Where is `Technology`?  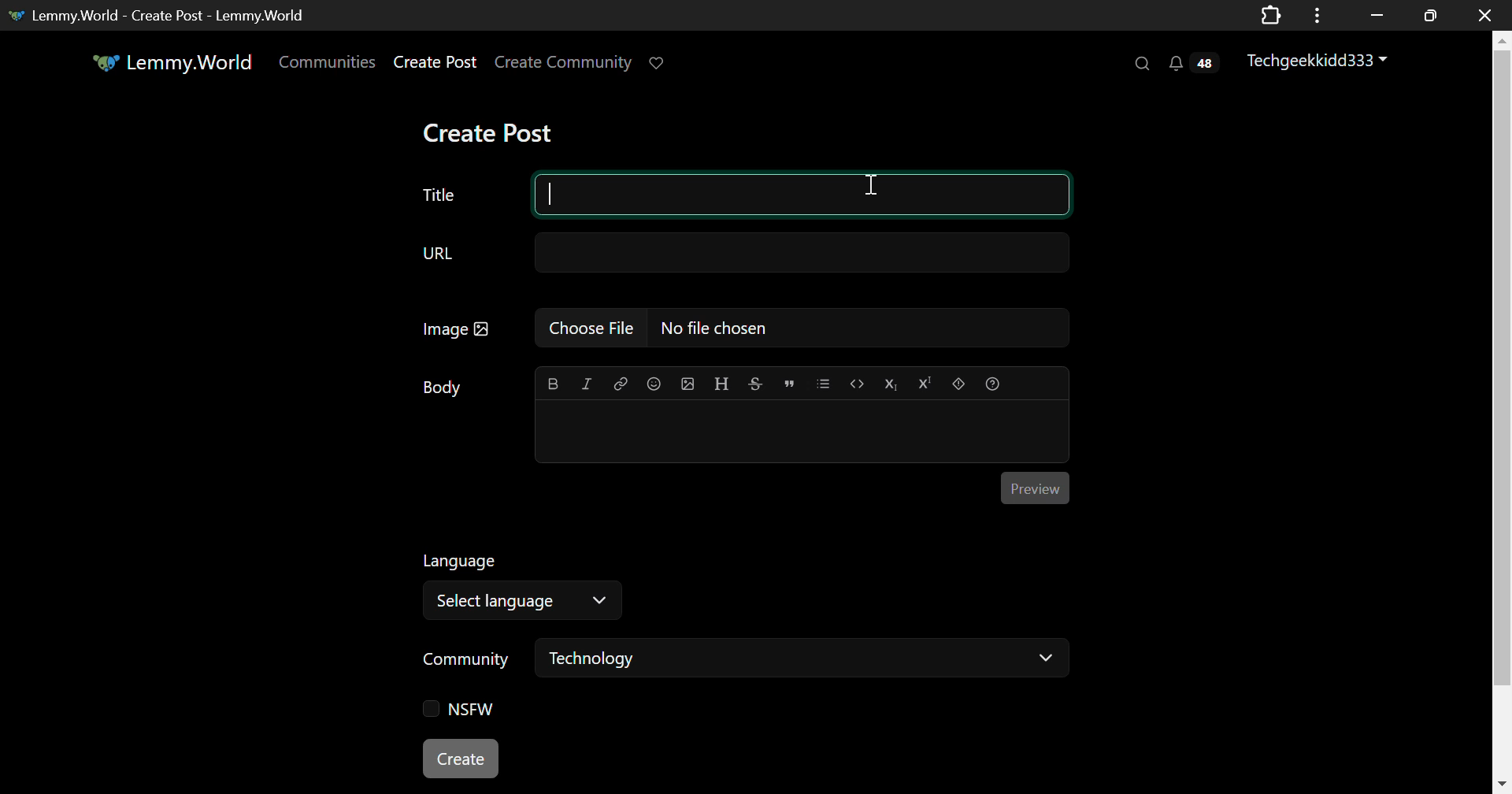
Technology is located at coordinates (803, 662).